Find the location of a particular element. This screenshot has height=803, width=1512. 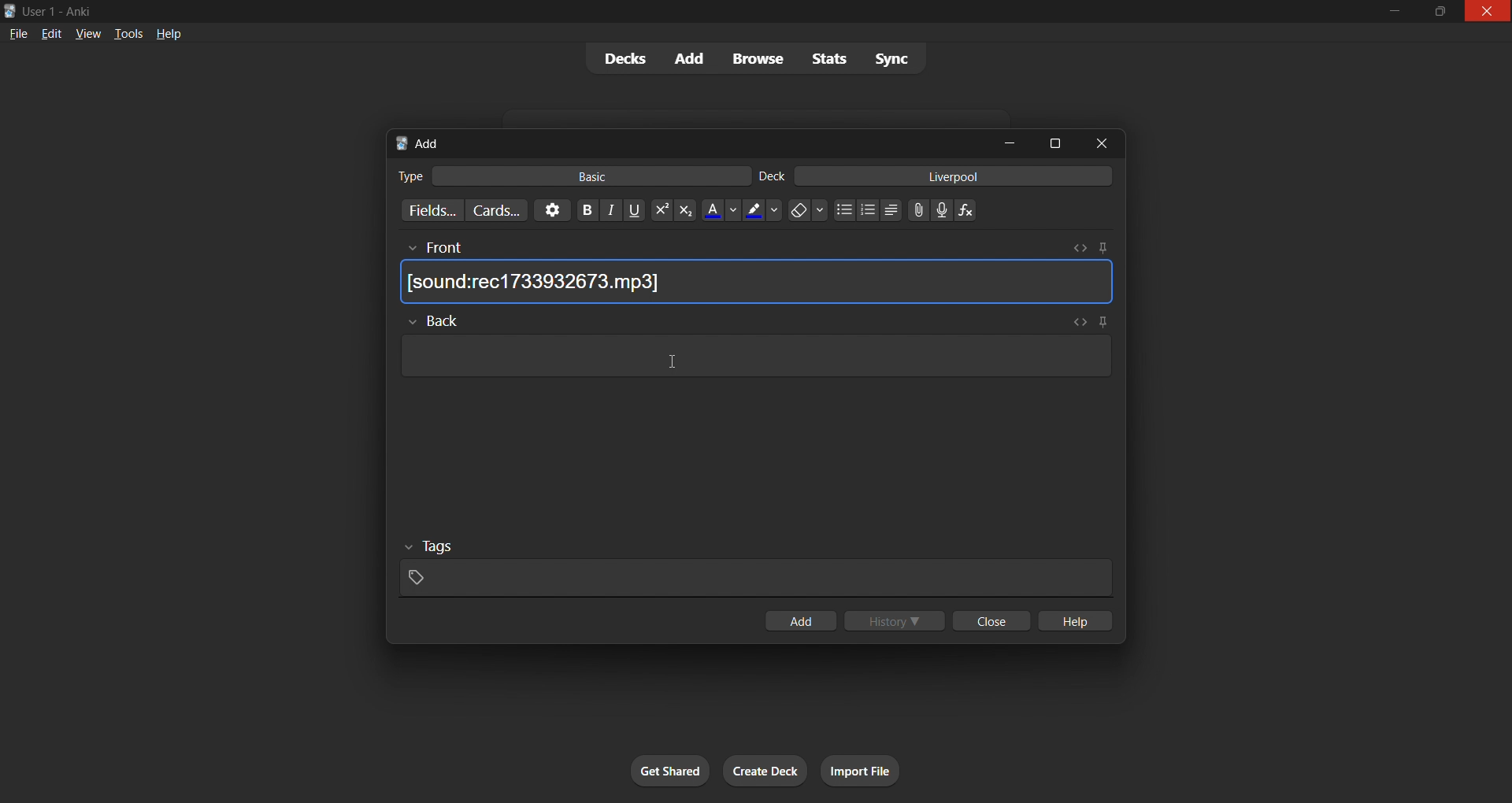

stats is located at coordinates (830, 60).